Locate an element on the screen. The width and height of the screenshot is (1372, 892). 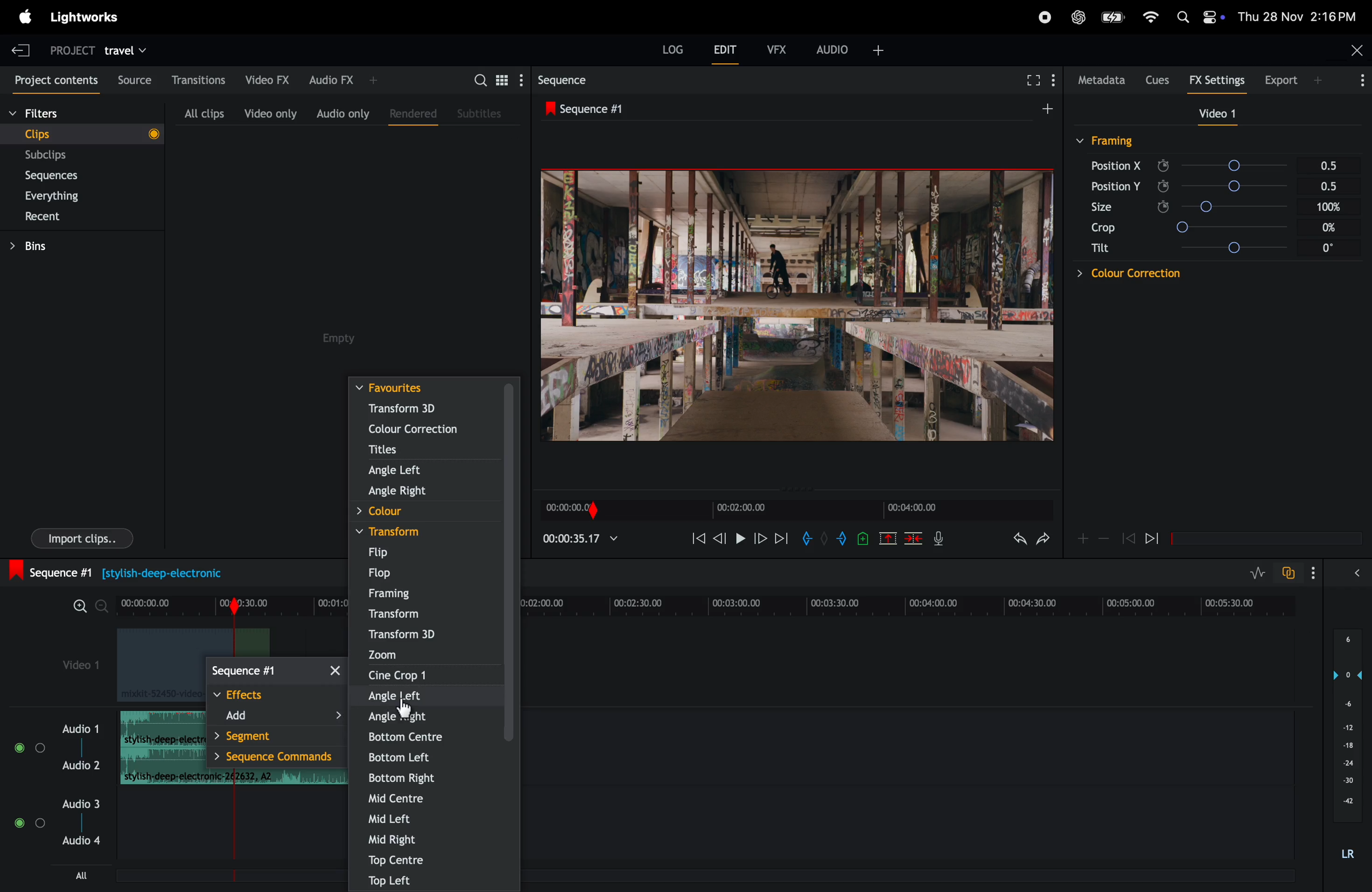
add is located at coordinates (276, 716).